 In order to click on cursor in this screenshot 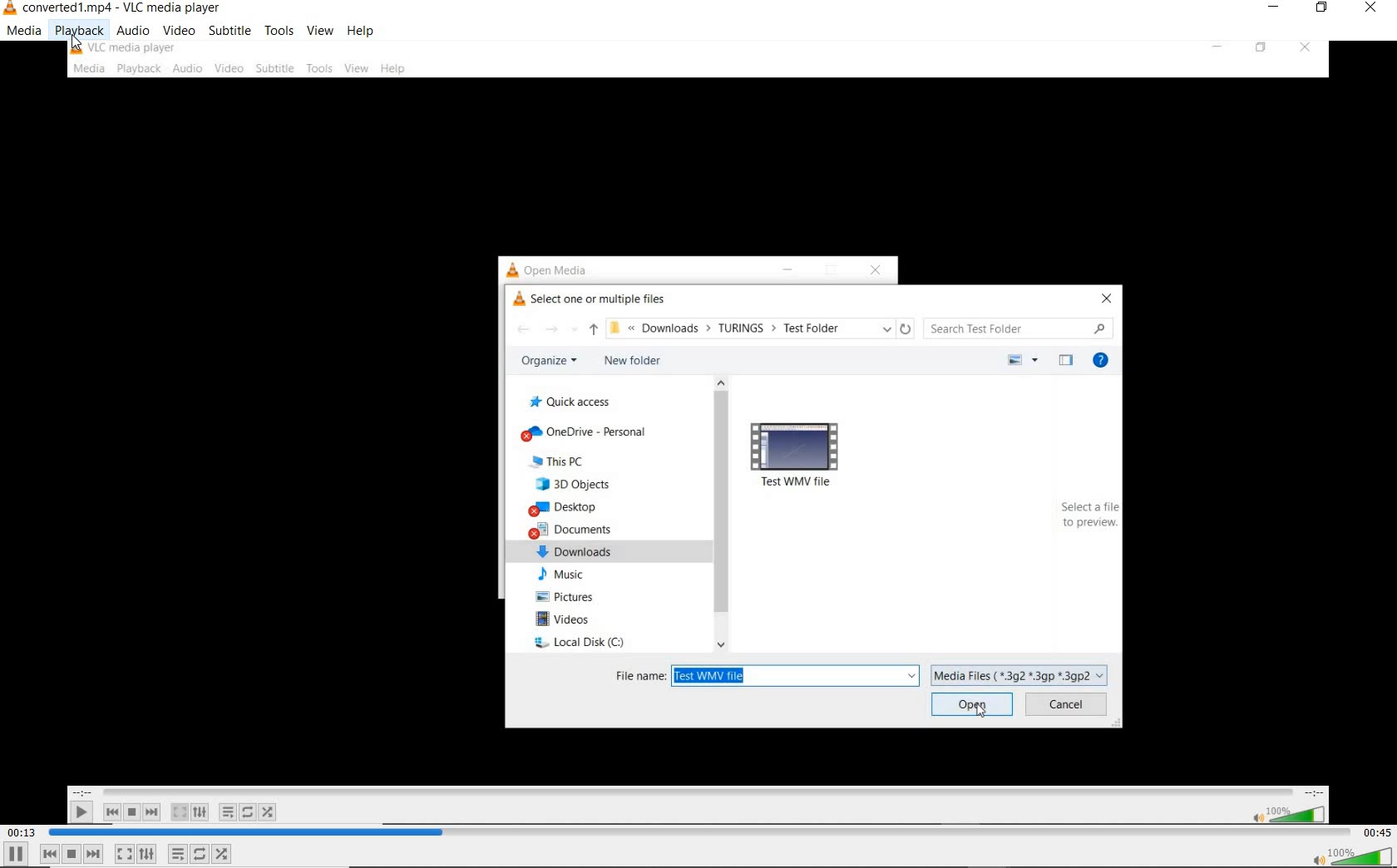, I will do `click(77, 42)`.